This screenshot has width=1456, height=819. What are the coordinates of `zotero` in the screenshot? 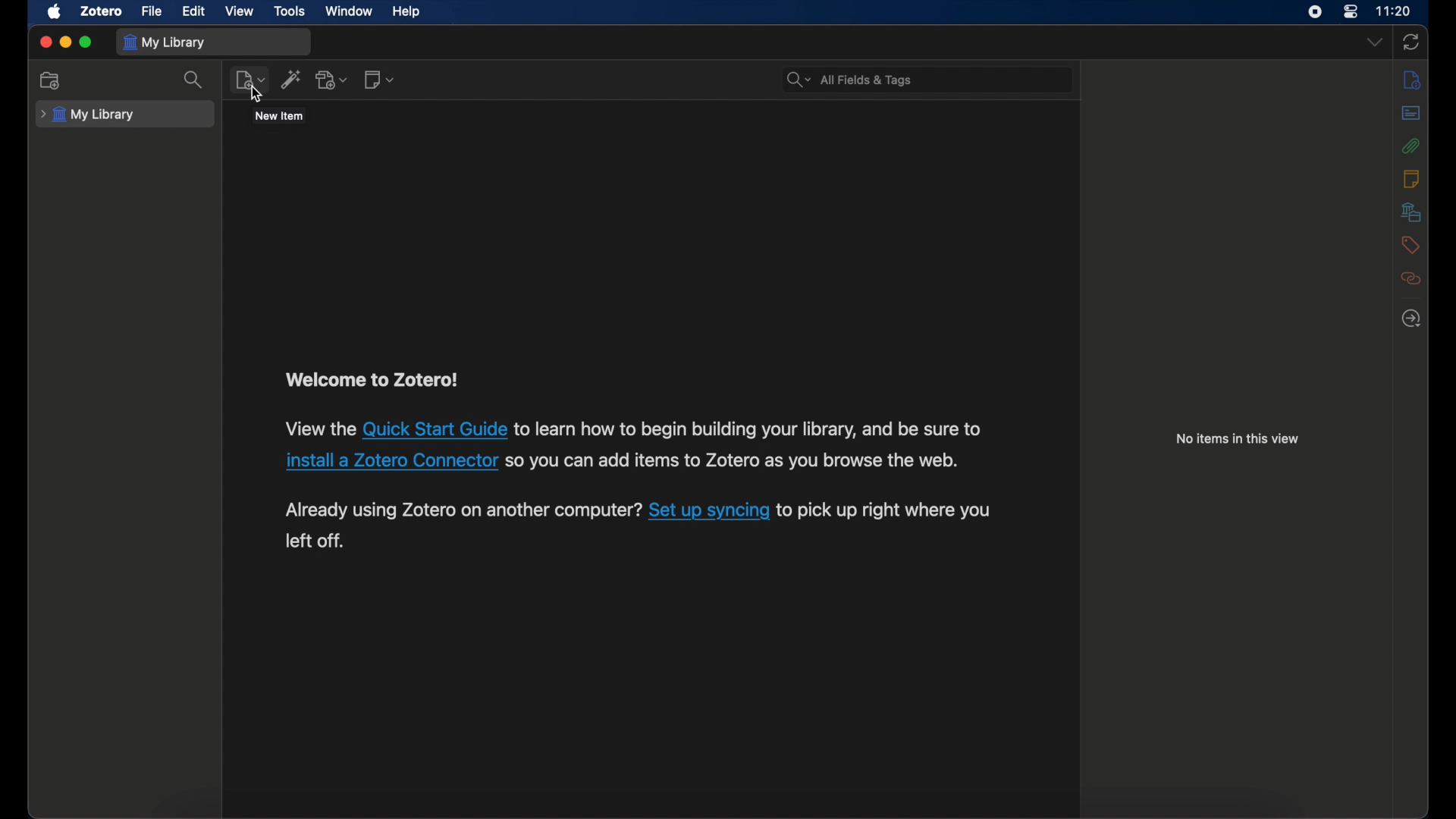 It's located at (102, 11).